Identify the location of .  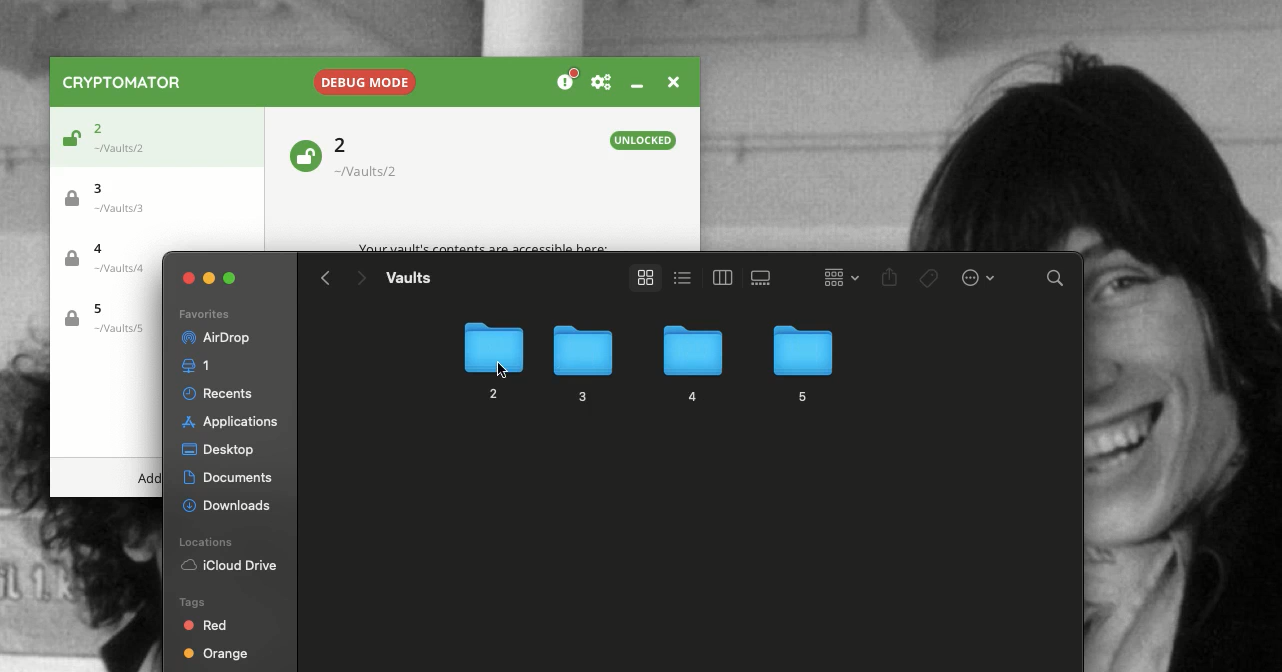
(489, 359).